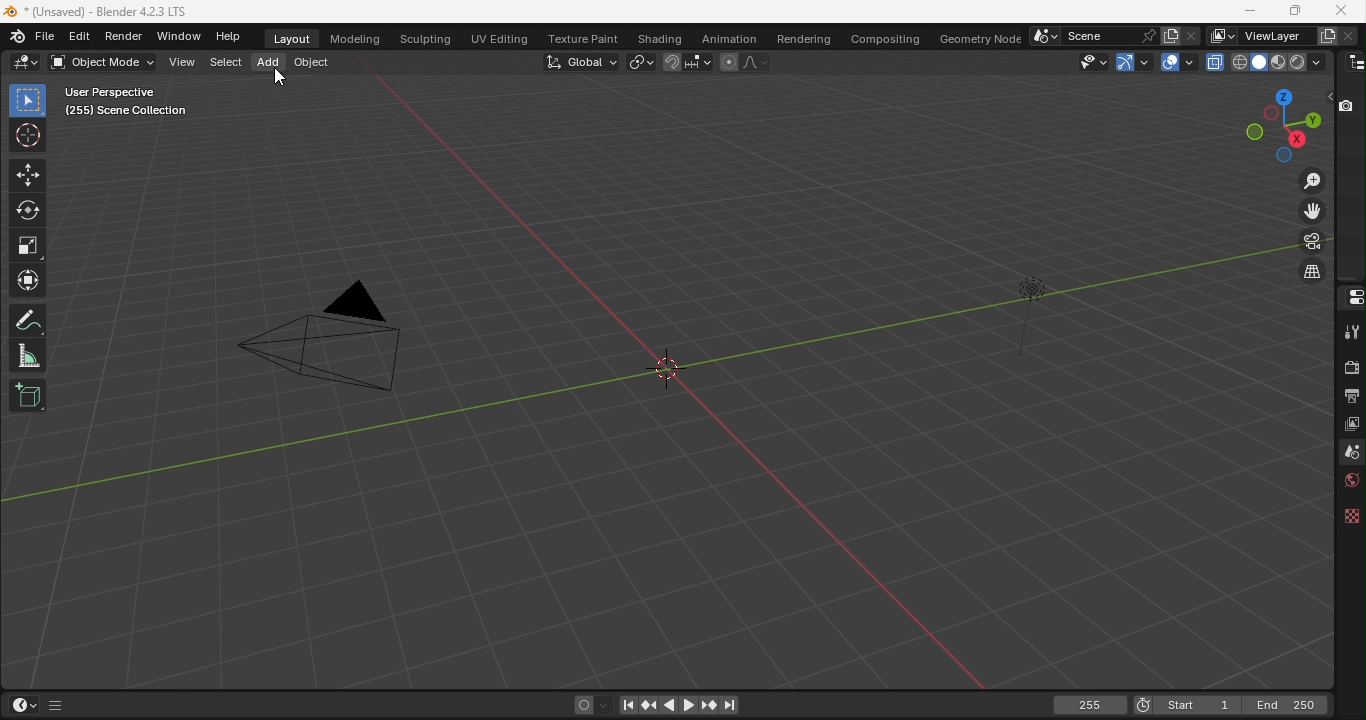 This screenshot has width=1366, height=720. What do you see at coordinates (580, 61) in the screenshot?
I see `Transformation orientation` at bounding box center [580, 61].